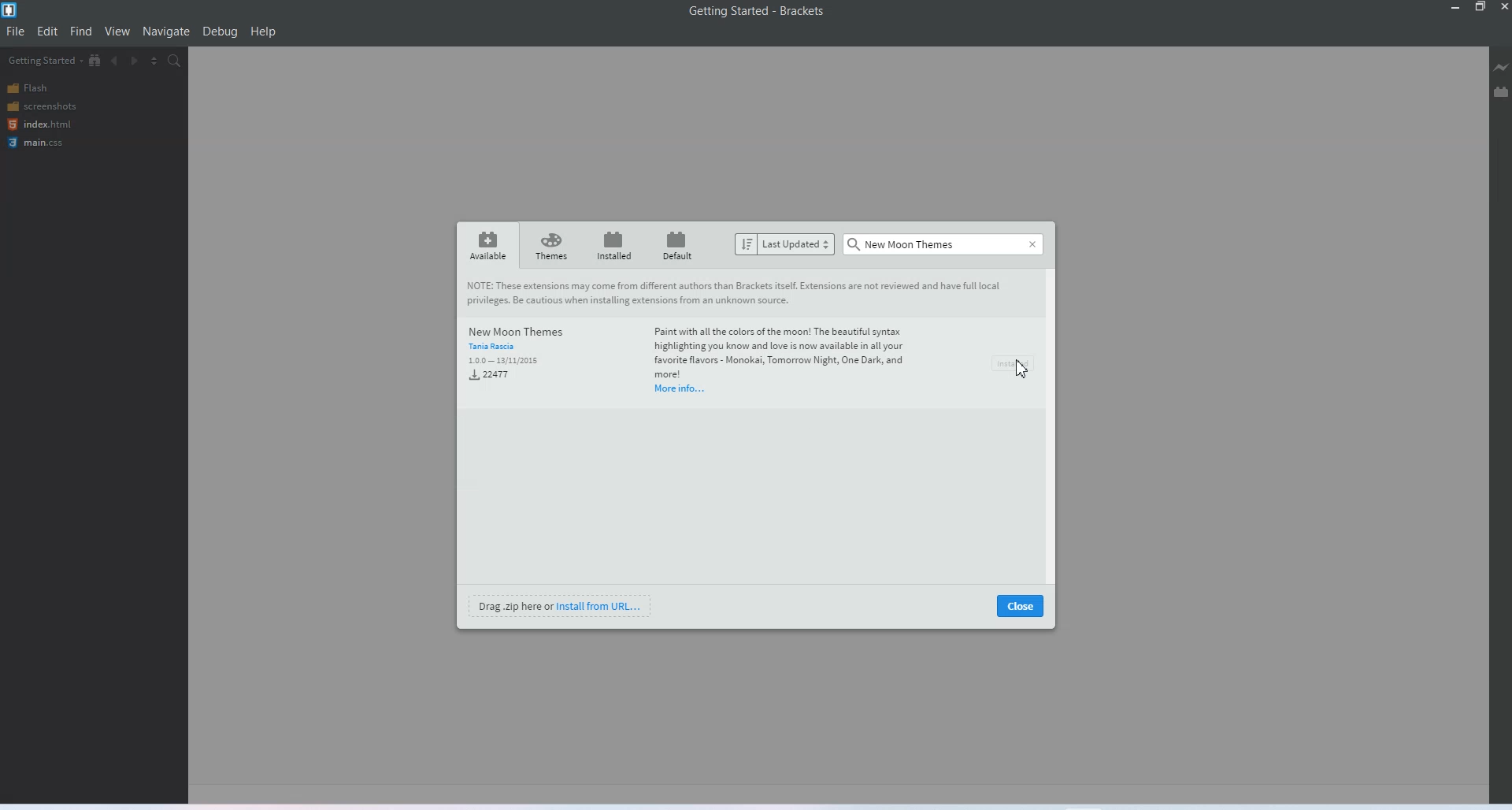 This screenshot has width=1512, height=810. I want to click on close, so click(1019, 605).